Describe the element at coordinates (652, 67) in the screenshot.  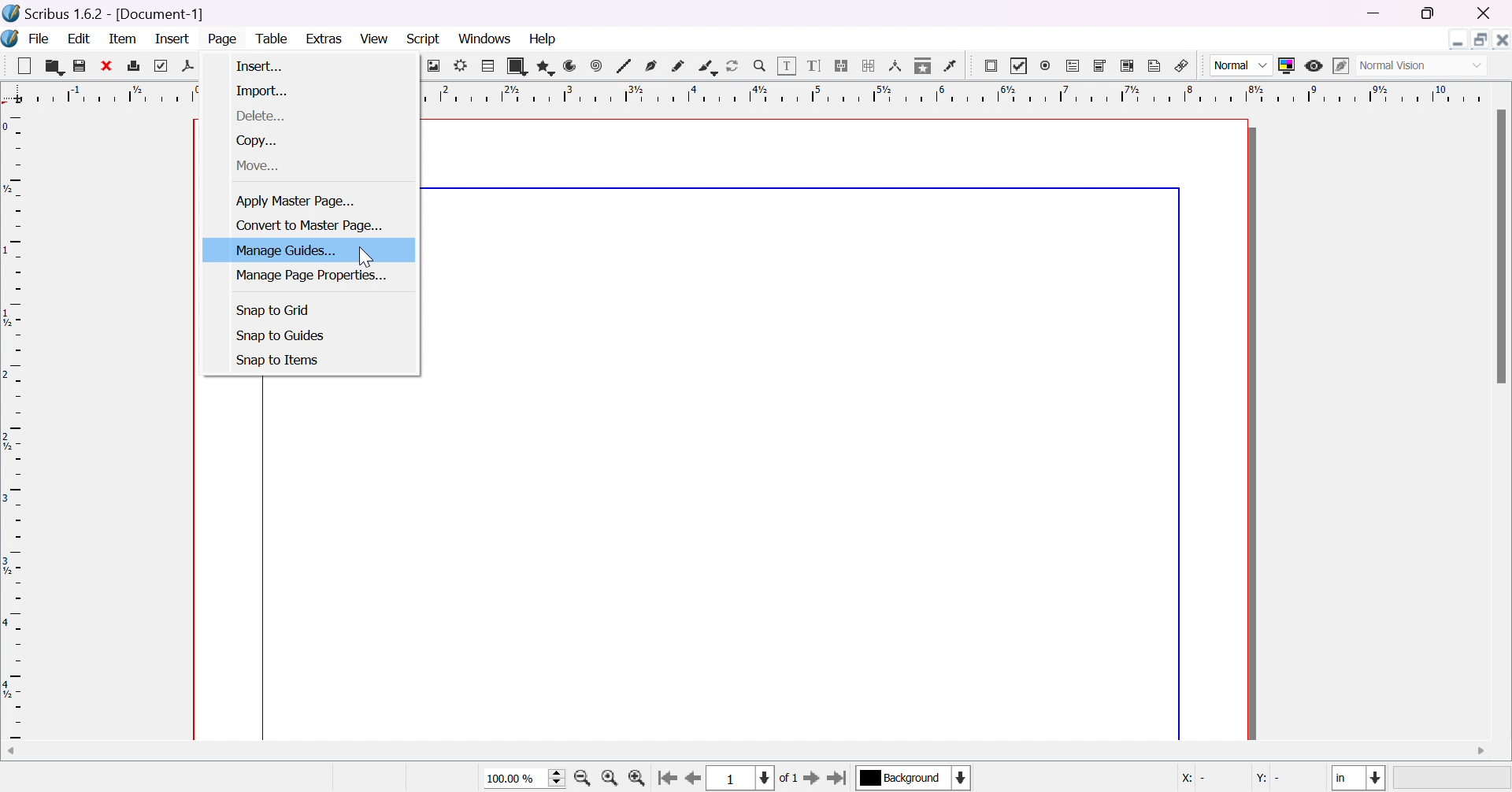
I see `bezier curve` at that location.